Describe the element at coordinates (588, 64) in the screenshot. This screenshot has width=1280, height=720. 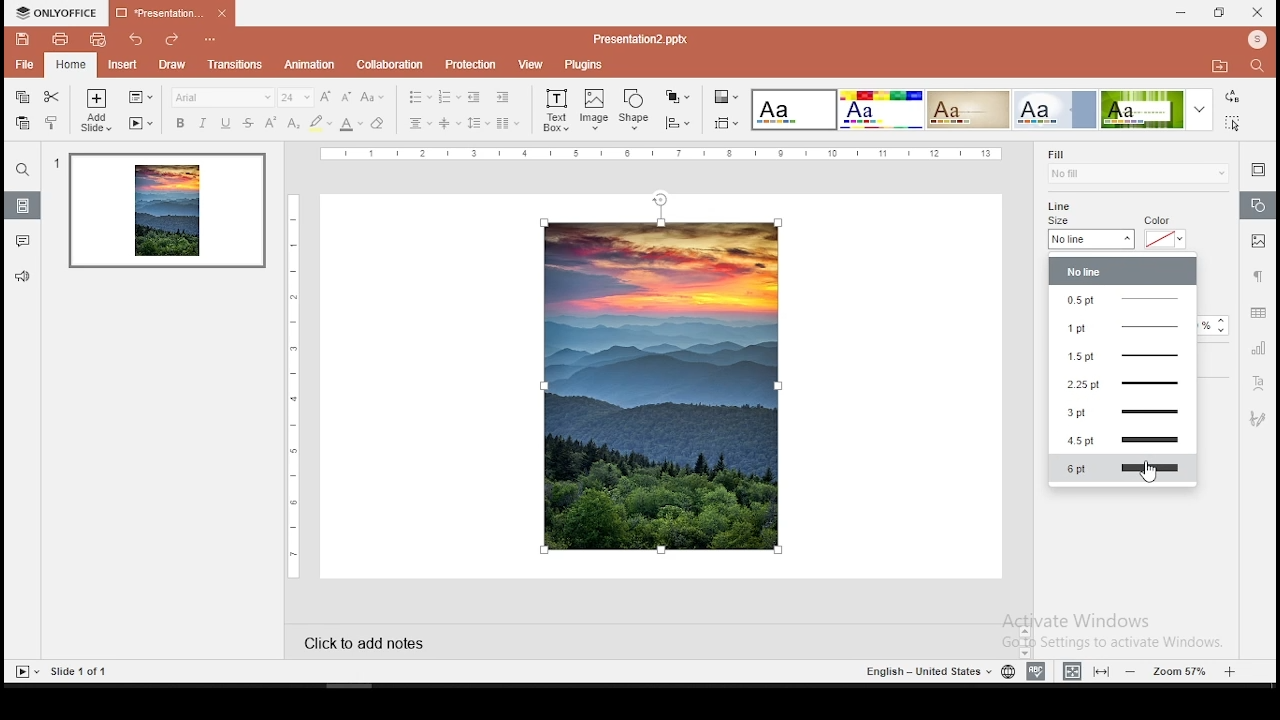
I see `plugins` at that location.